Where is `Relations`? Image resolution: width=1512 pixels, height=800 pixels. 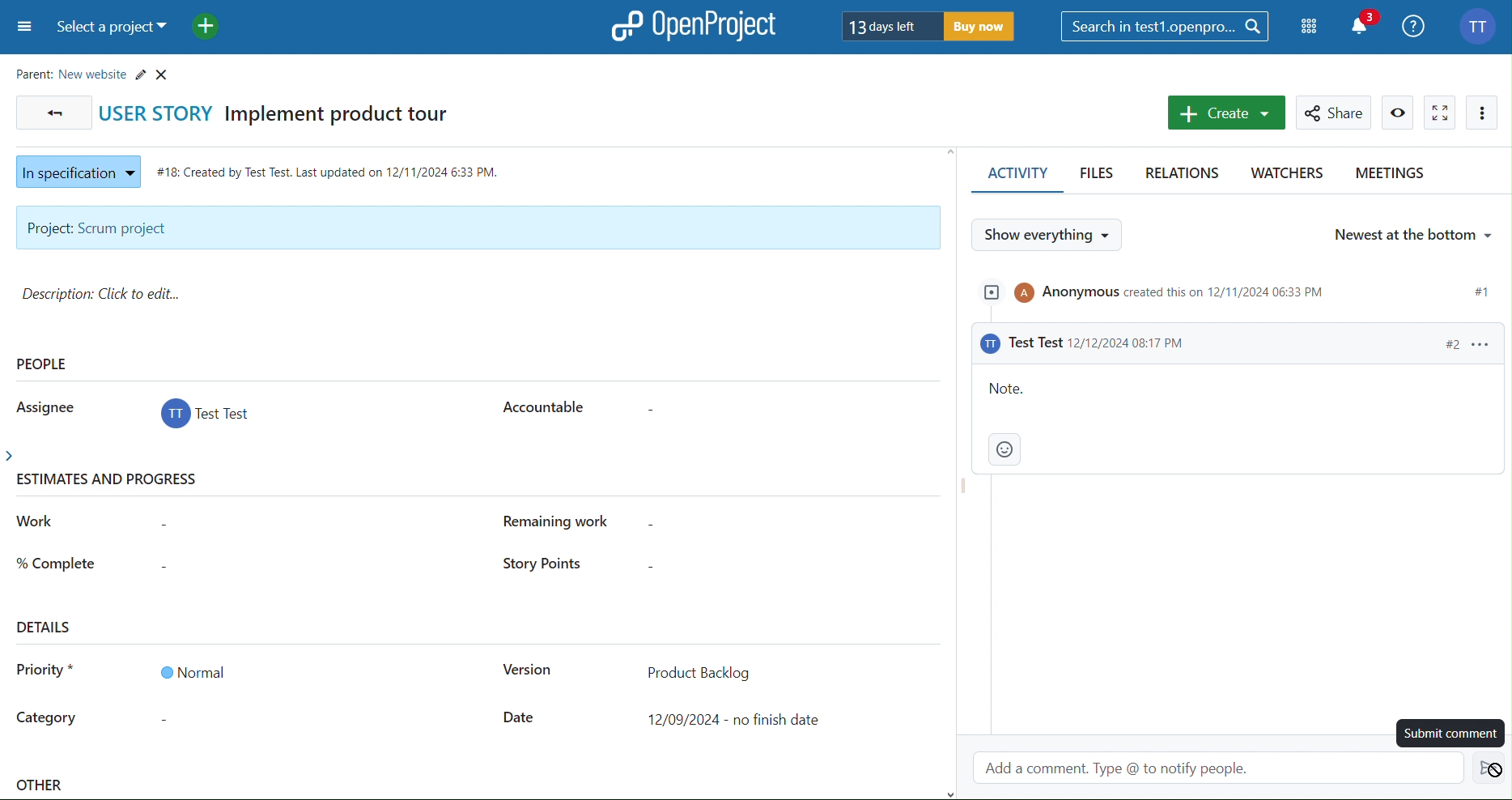
Relations is located at coordinates (1186, 174).